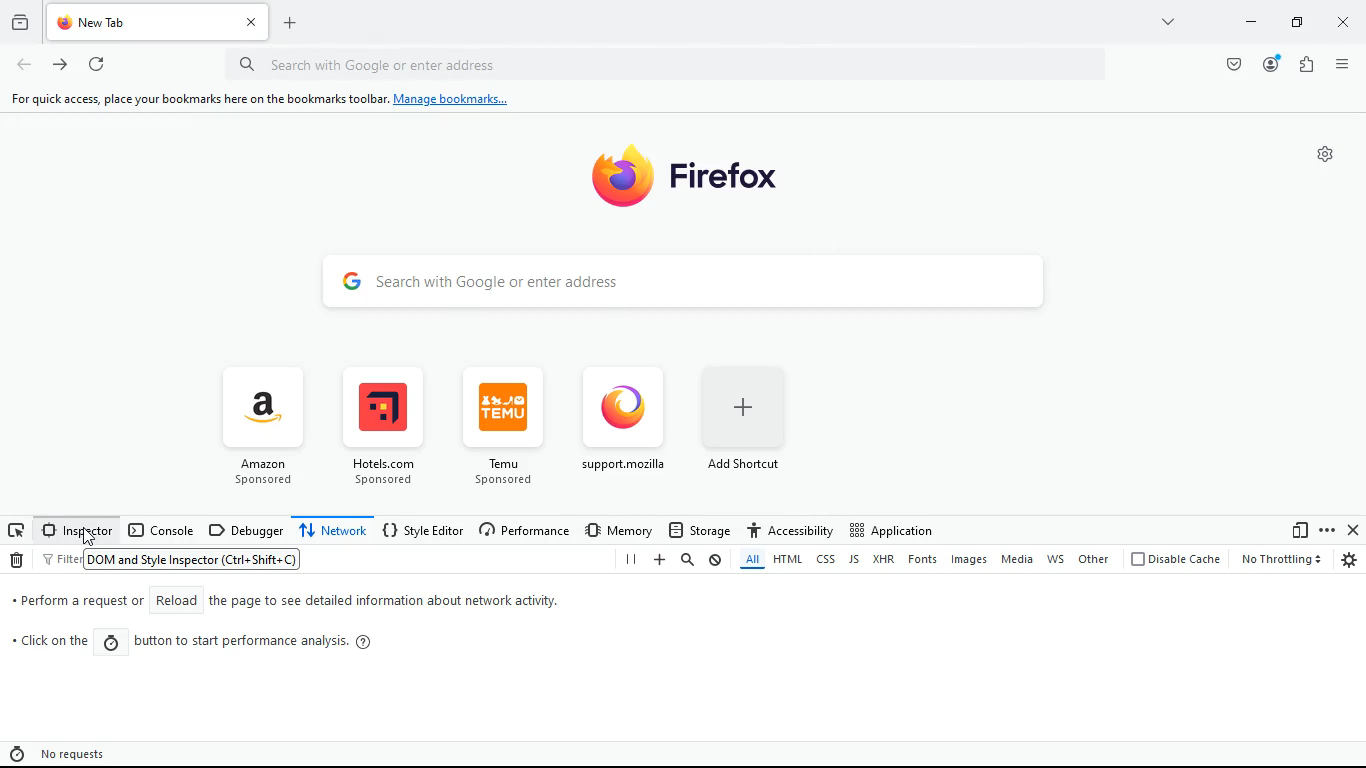 This screenshot has width=1366, height=768. Describe the element at coordinates (405, 63) in the screenshot. I see `Search with Google or enter address` at that location.